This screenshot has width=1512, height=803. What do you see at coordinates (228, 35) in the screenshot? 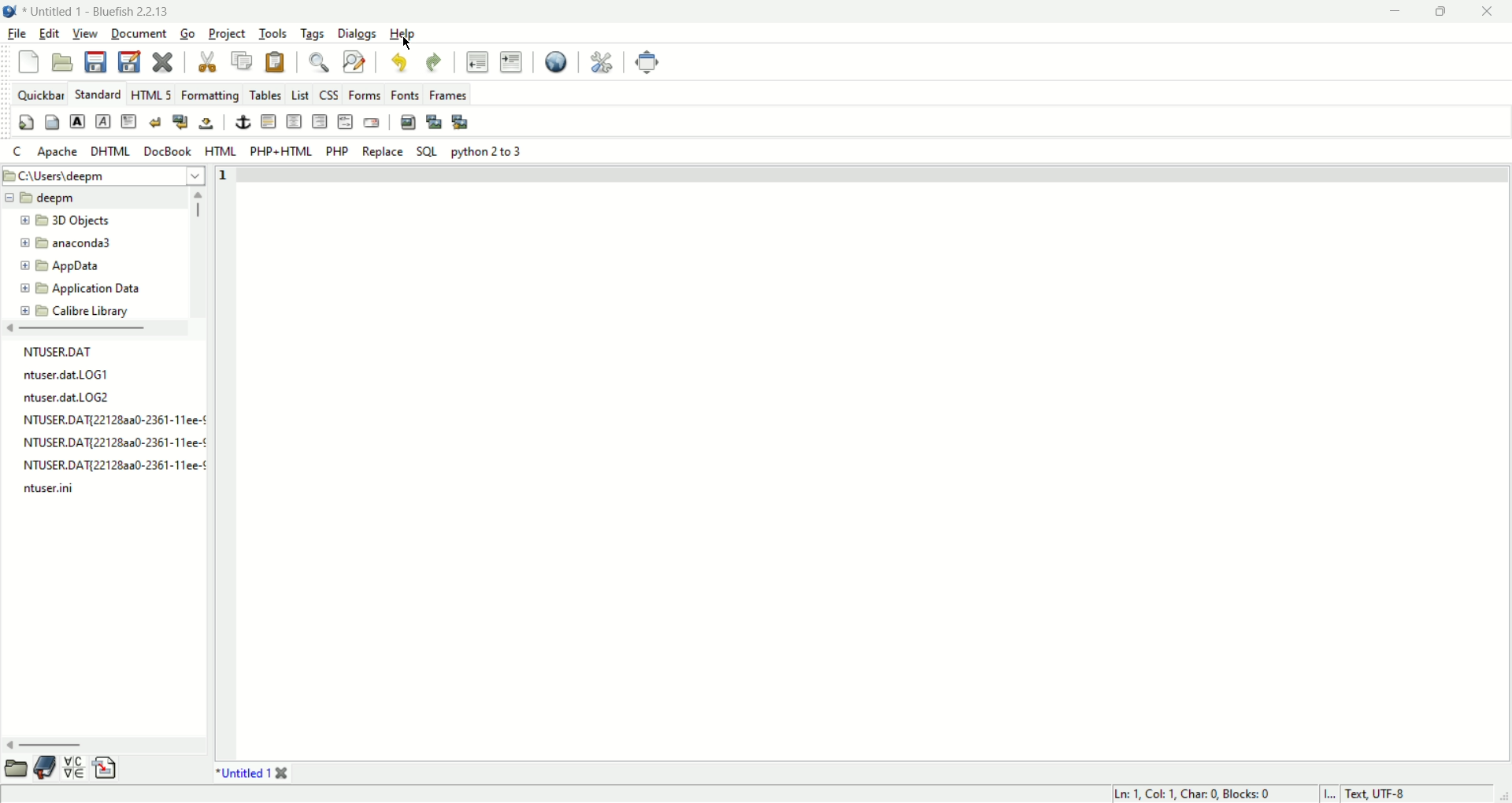
I see `project` at bounding box center [228, 35].